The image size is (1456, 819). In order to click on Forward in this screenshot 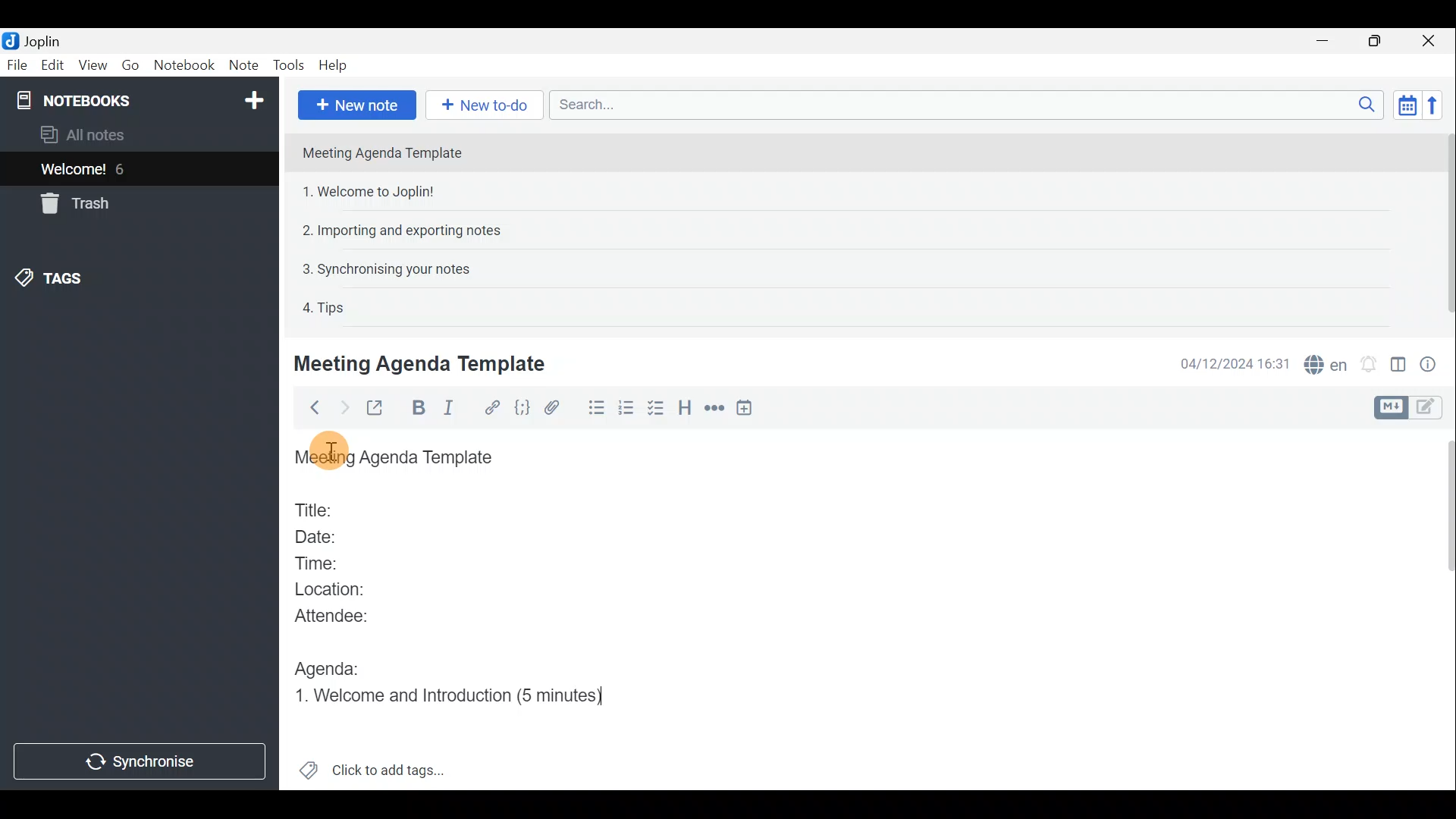, I will do `click(342, 407)`.